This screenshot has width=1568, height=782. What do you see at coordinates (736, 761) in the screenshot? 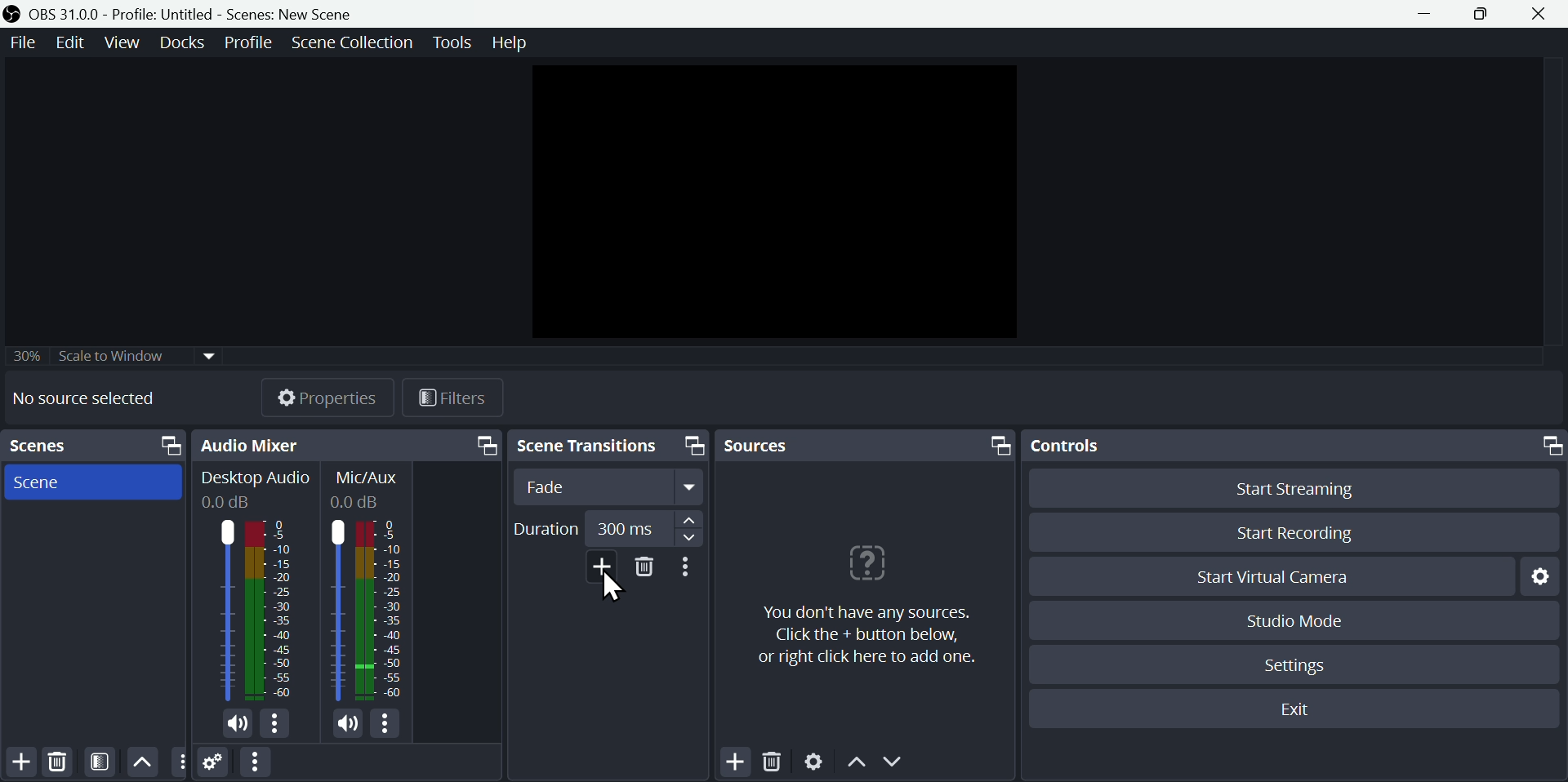
I see `Add` at bounding box center [736, 761].